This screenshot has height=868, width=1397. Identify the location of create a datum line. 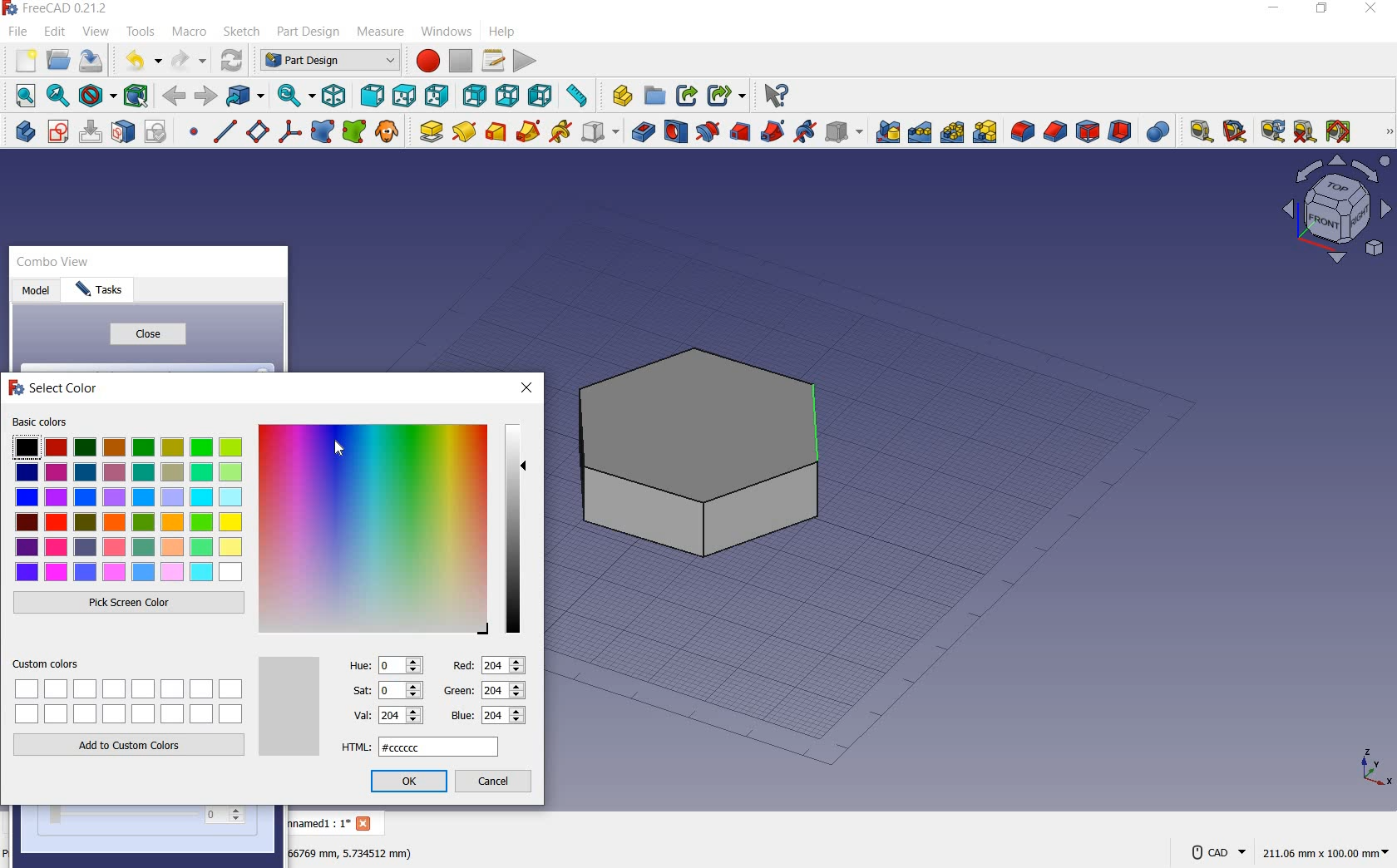
(223, 131).